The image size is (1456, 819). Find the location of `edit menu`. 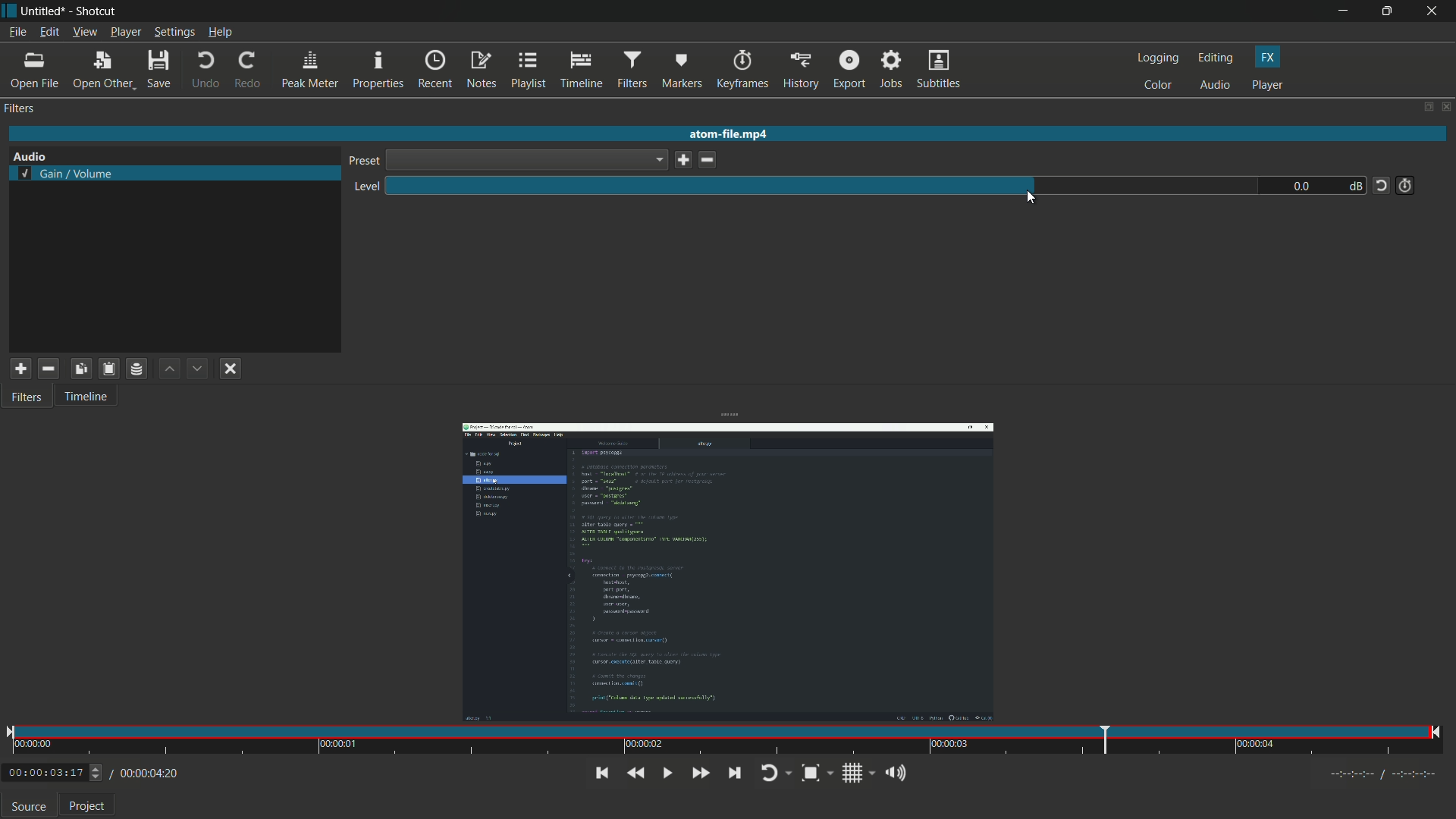

edit menu is located at coordinates (49, 33).